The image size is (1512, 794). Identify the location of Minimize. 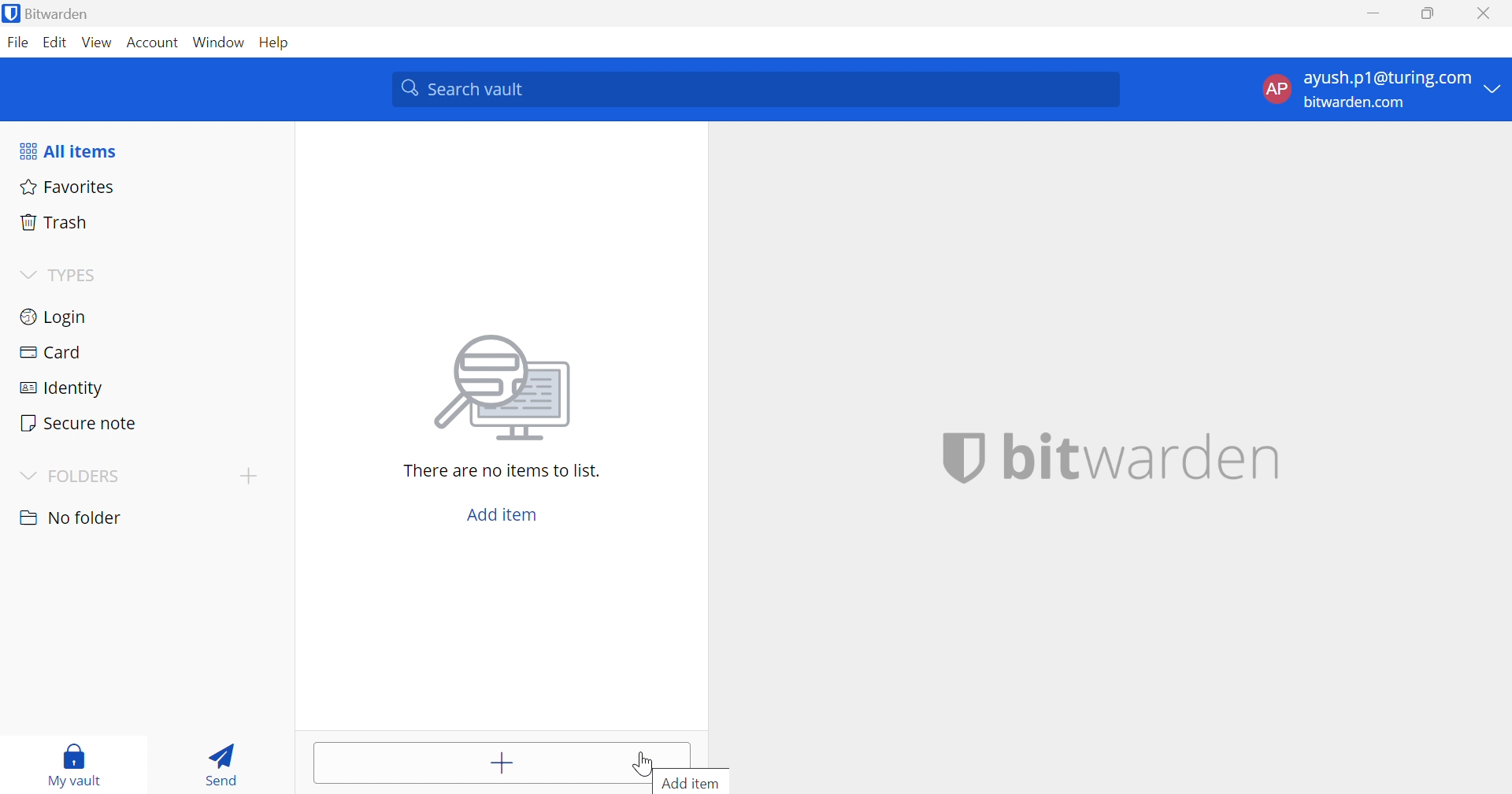
(1373, 13).